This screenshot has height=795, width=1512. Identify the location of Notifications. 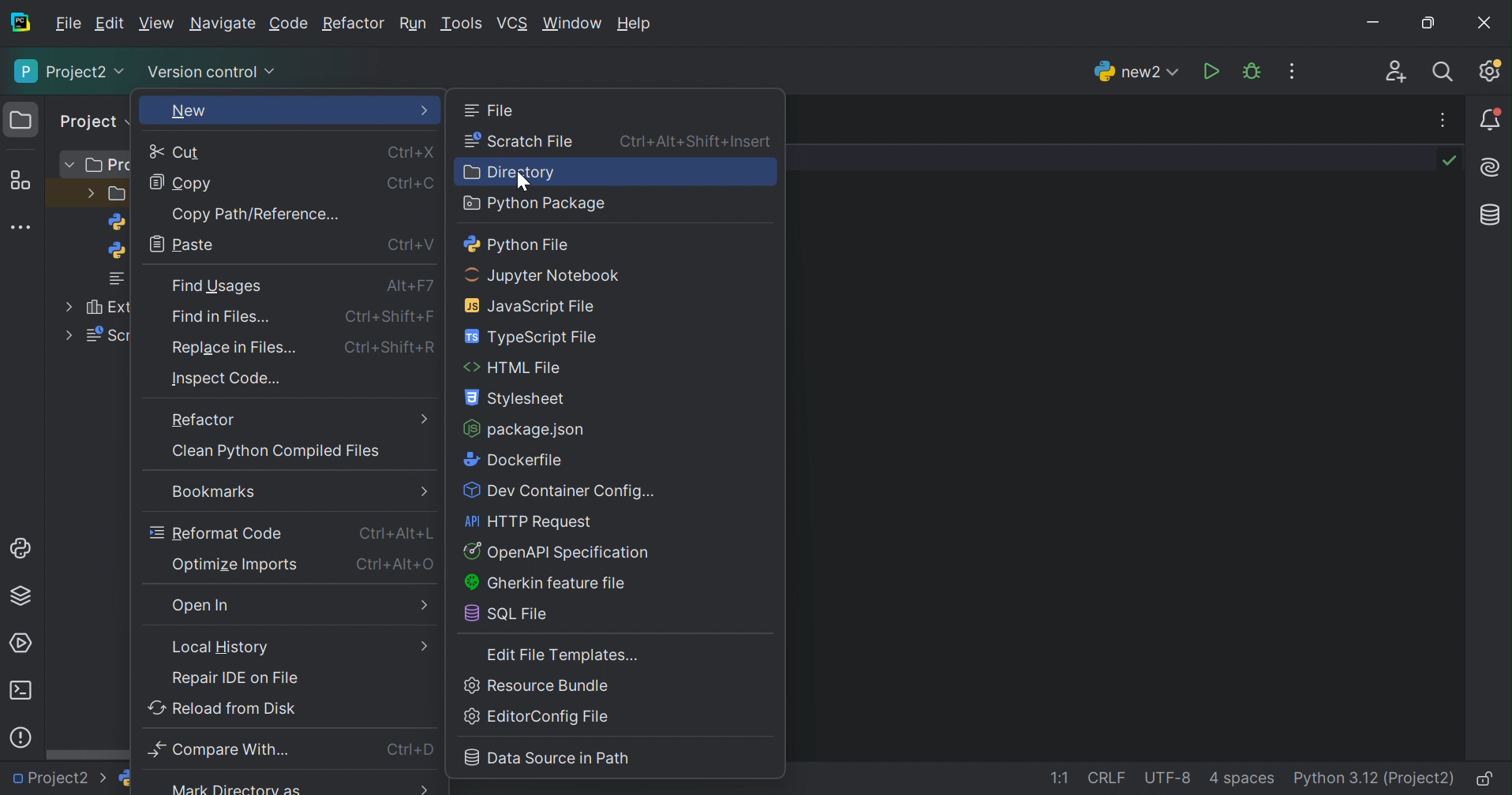
(1491, 120).